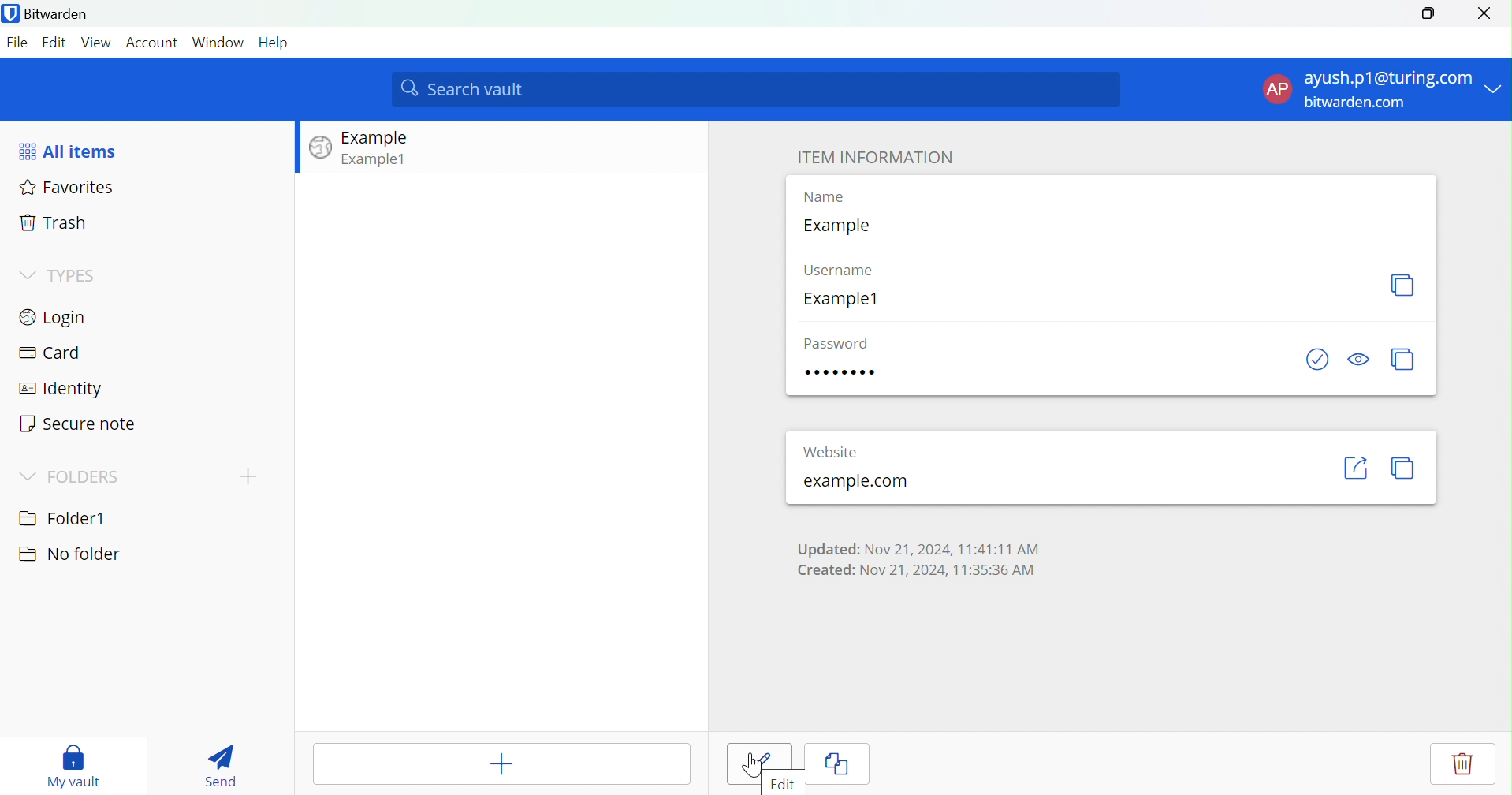  Describe the element at coordinates (20, 43) in the screenshot. I see `File` at that location.